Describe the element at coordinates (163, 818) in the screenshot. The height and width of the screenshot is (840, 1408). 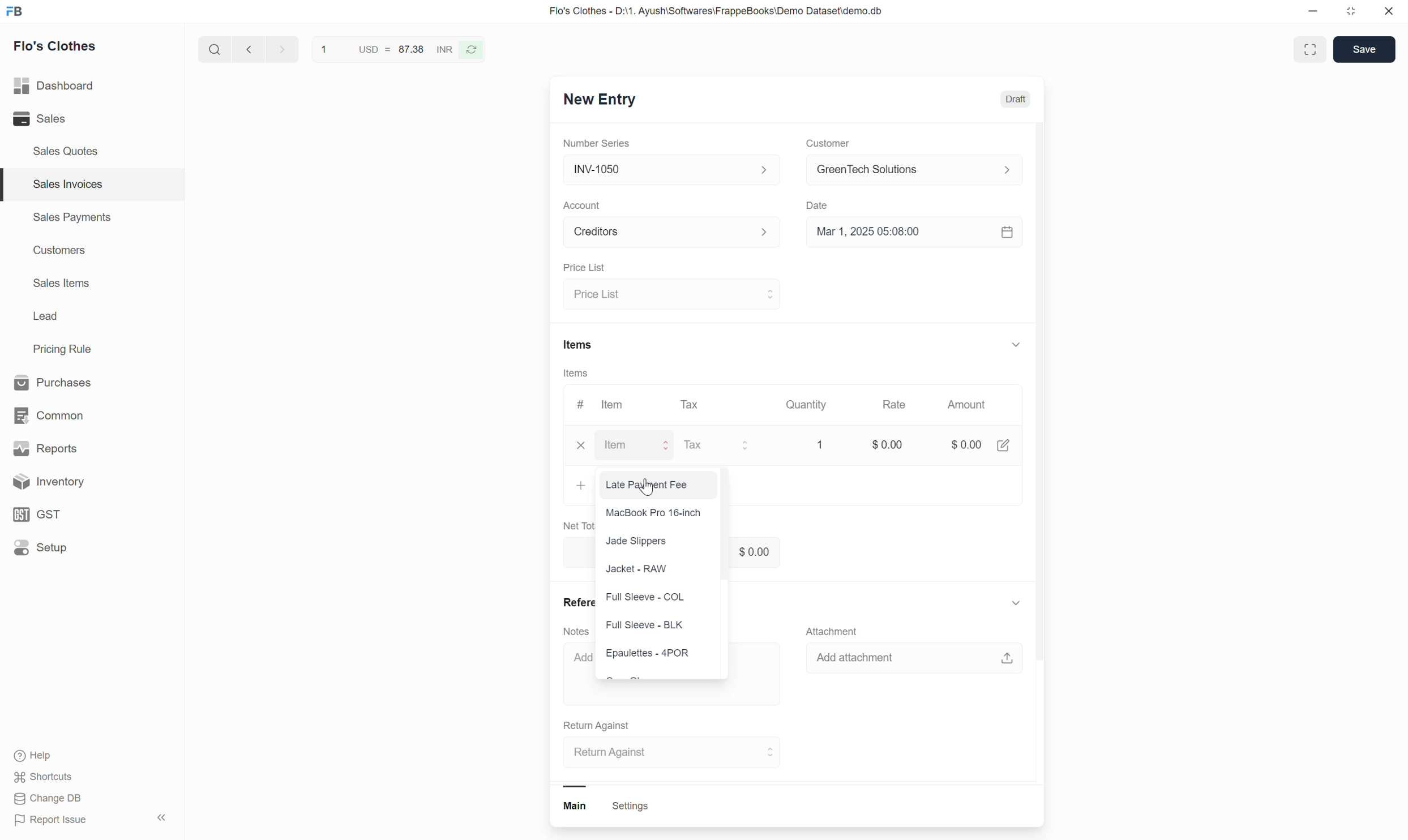
I see `hide sidebar` at that location.